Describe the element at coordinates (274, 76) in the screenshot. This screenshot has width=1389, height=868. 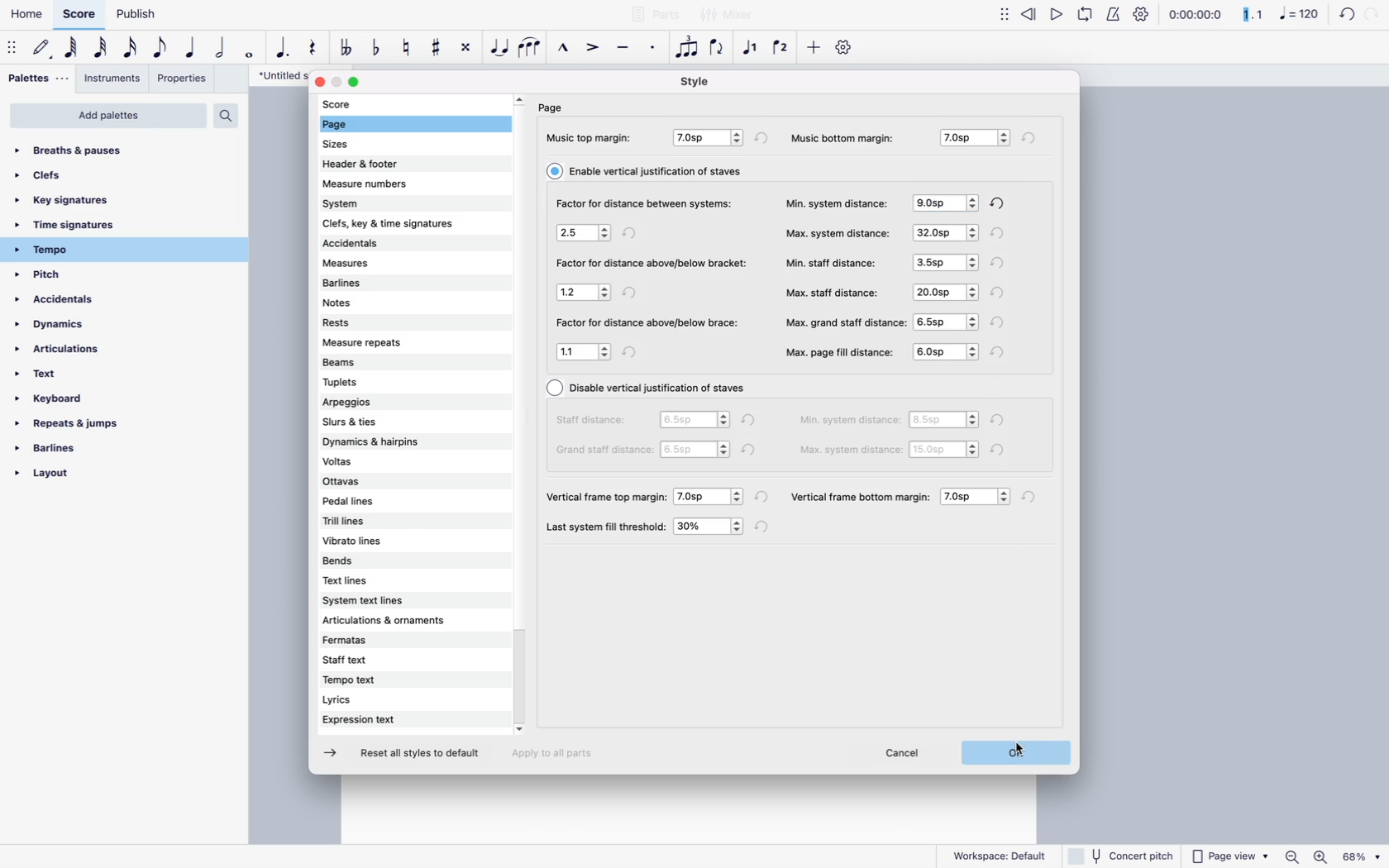
I see `Untitled` at that location.